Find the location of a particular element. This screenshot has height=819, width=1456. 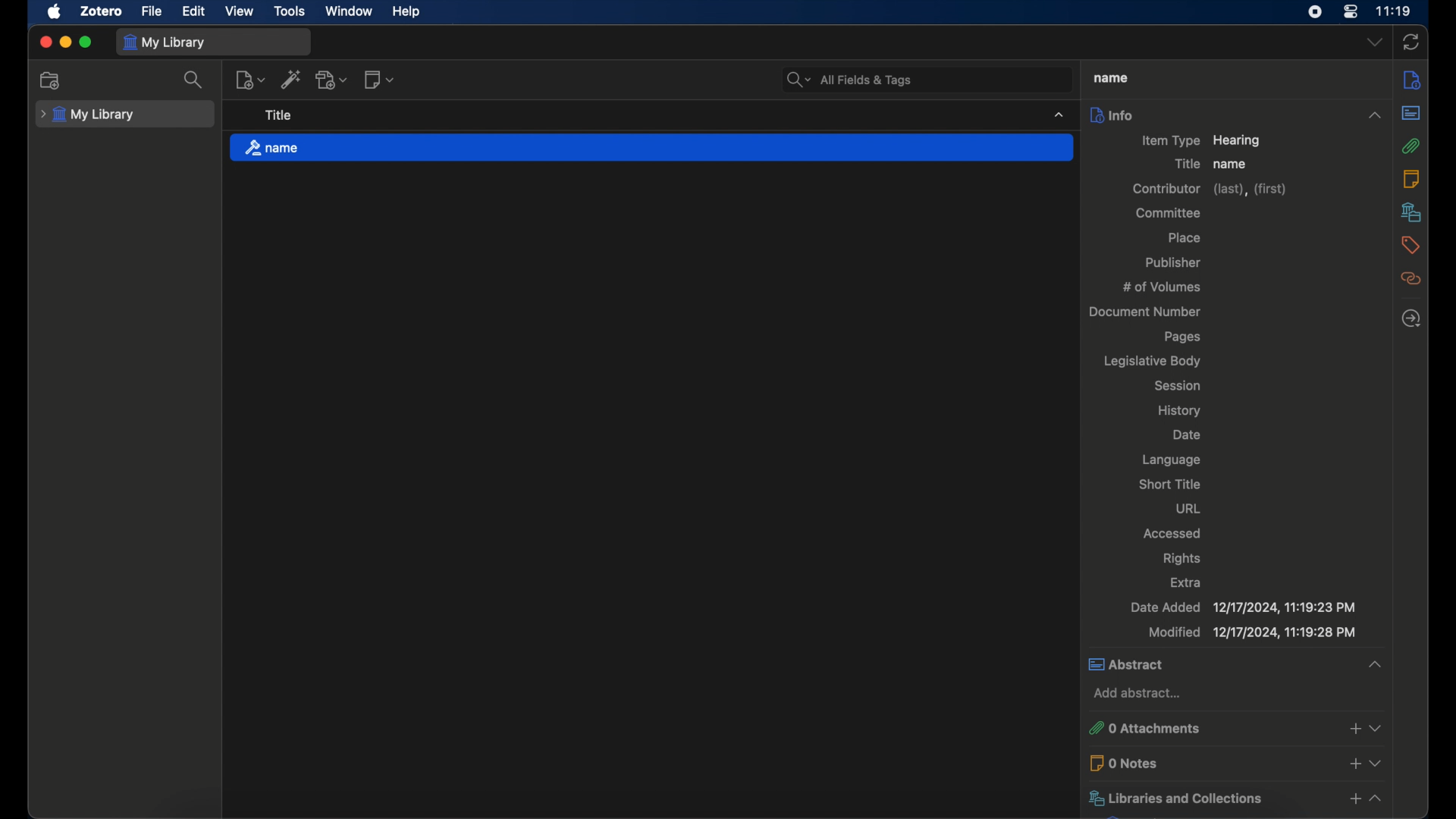

title is located at coordinates (1109, 77).